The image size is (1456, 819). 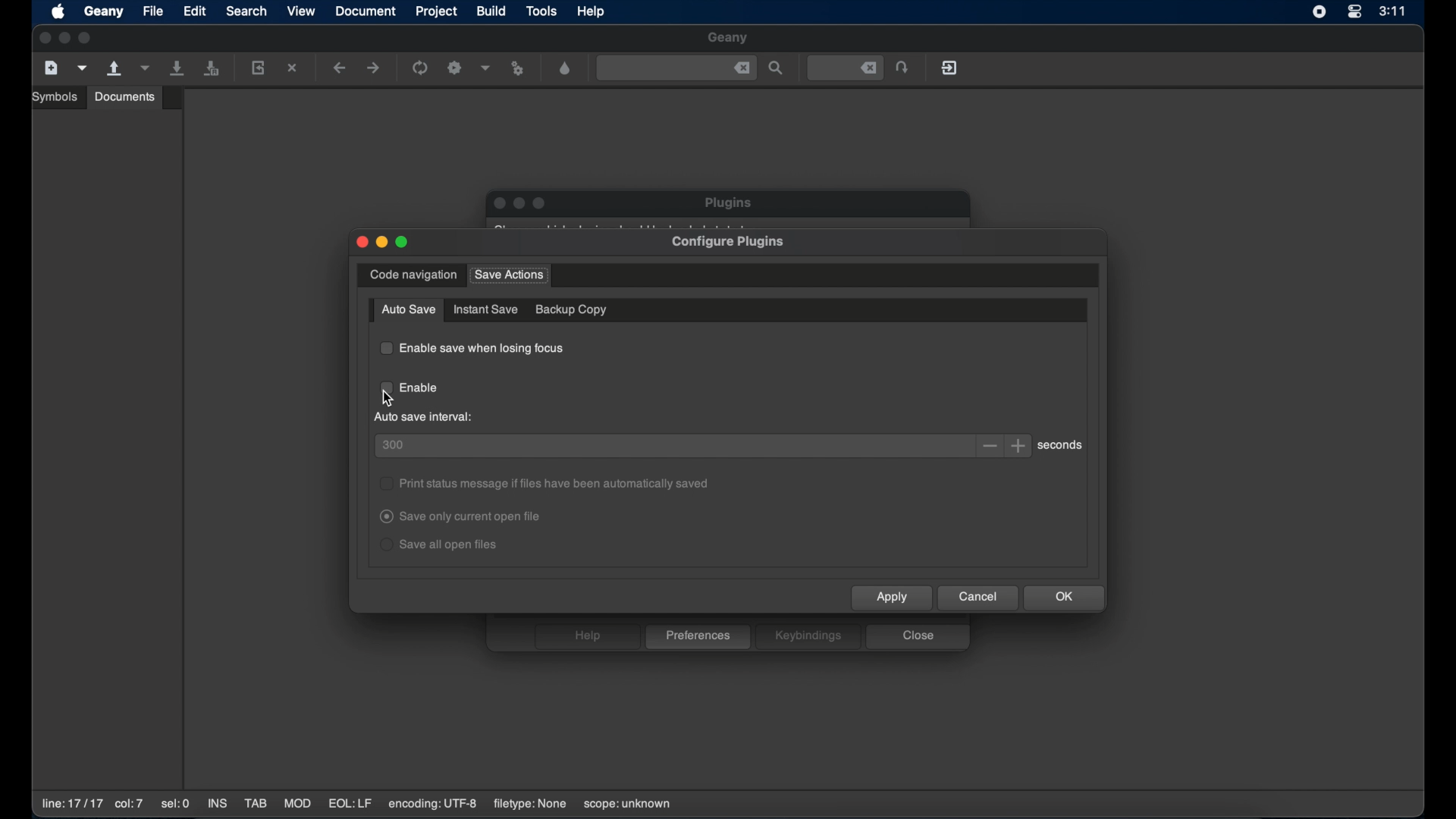 What do you see at coordinates (177, 805) in the screenshot?
I see `sel:0` at bounding box center [177, 805].